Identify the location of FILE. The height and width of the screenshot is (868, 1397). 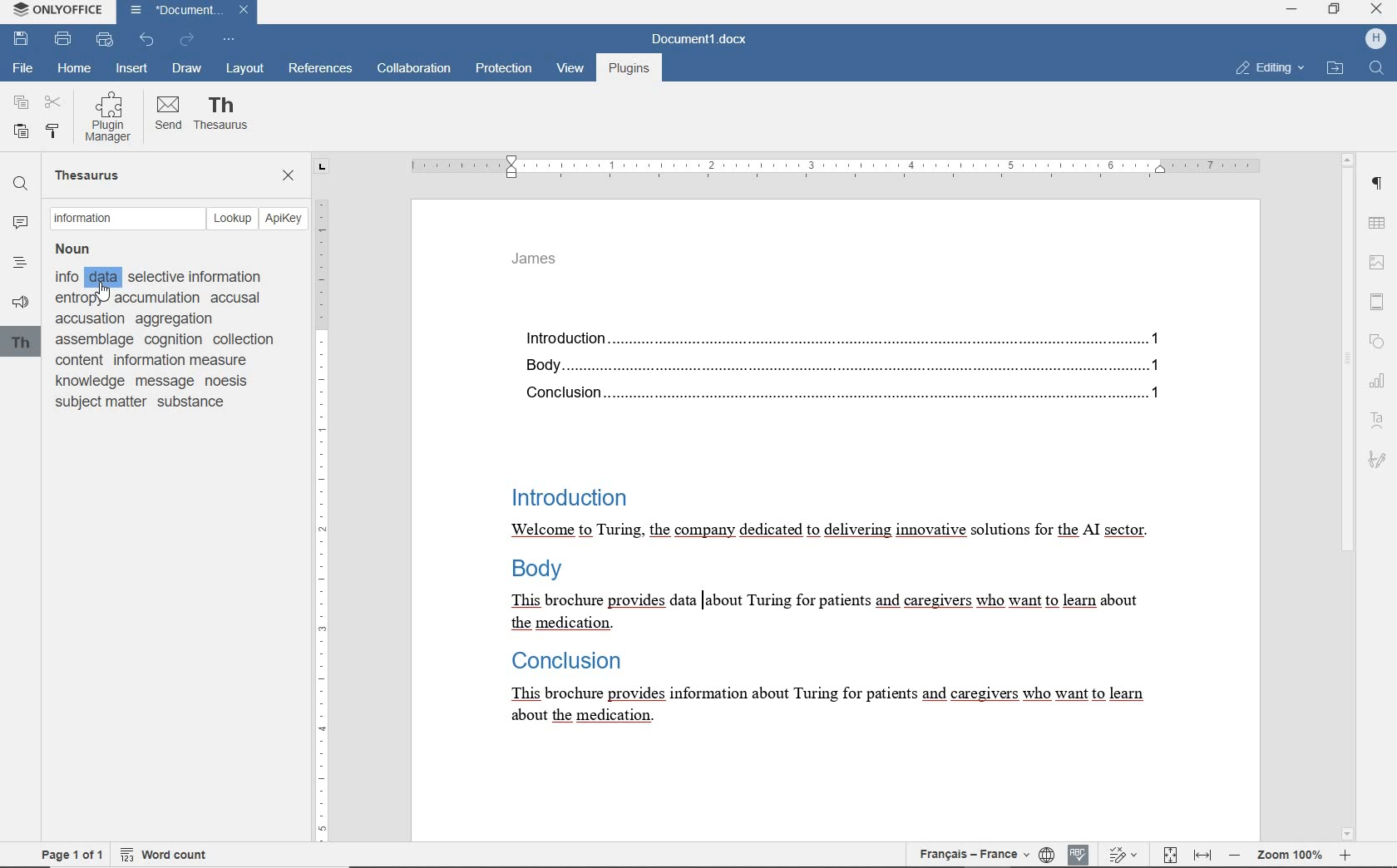
(24, 70).